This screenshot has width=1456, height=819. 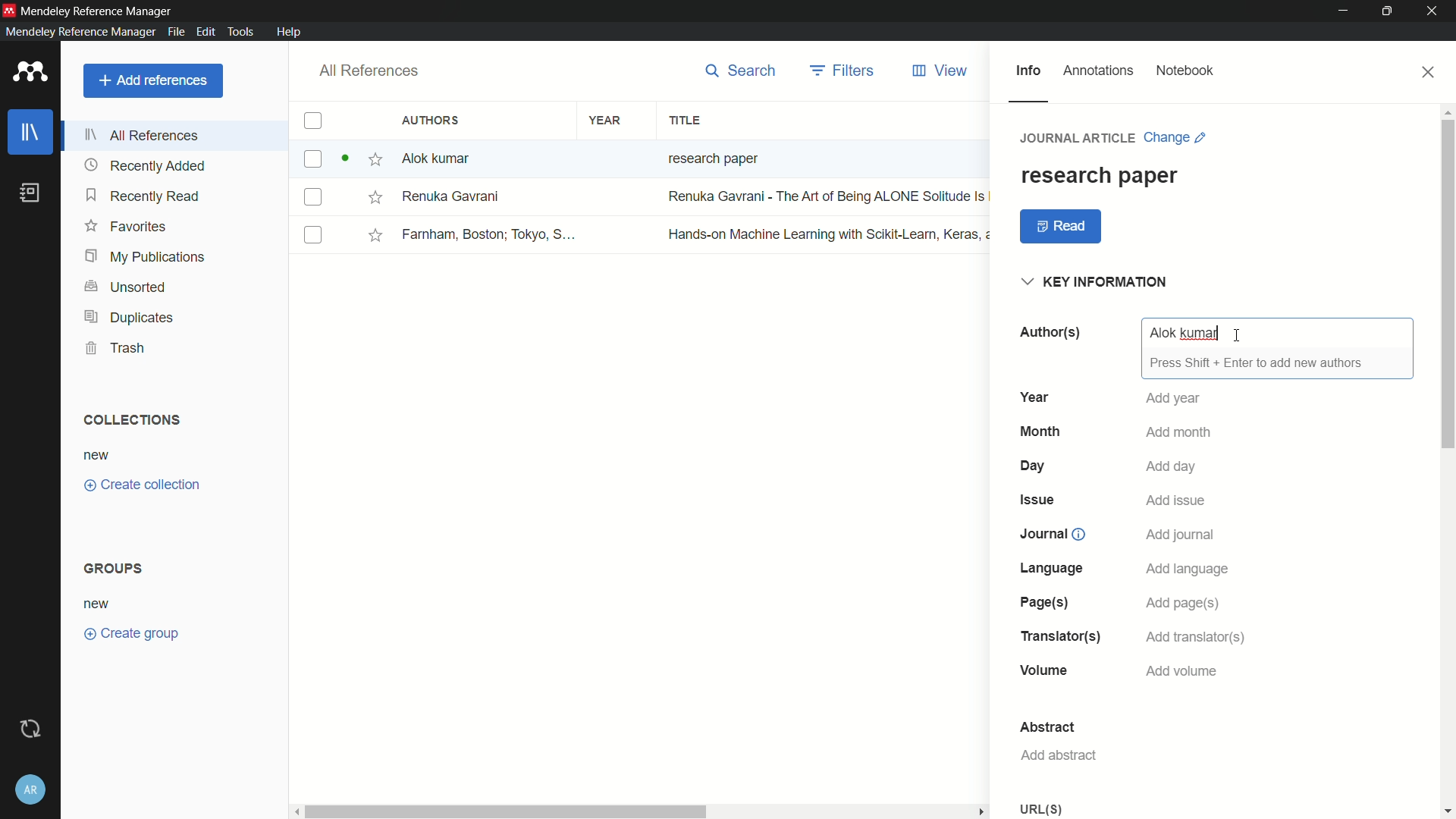 I want to click on create collections, so click(x=142, y=485).